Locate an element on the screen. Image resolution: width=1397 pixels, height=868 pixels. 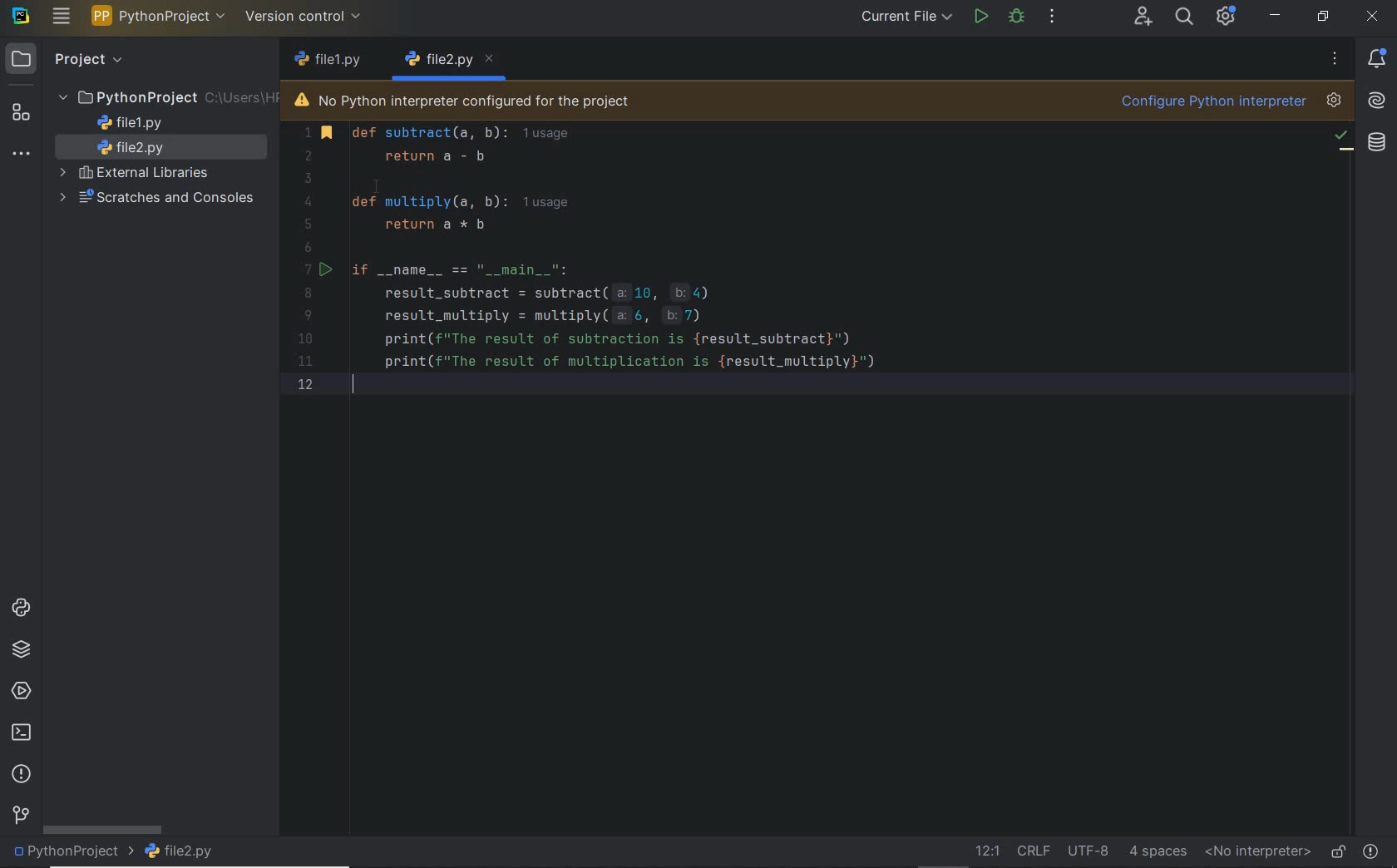
file name is located at coordinates (339, 62).